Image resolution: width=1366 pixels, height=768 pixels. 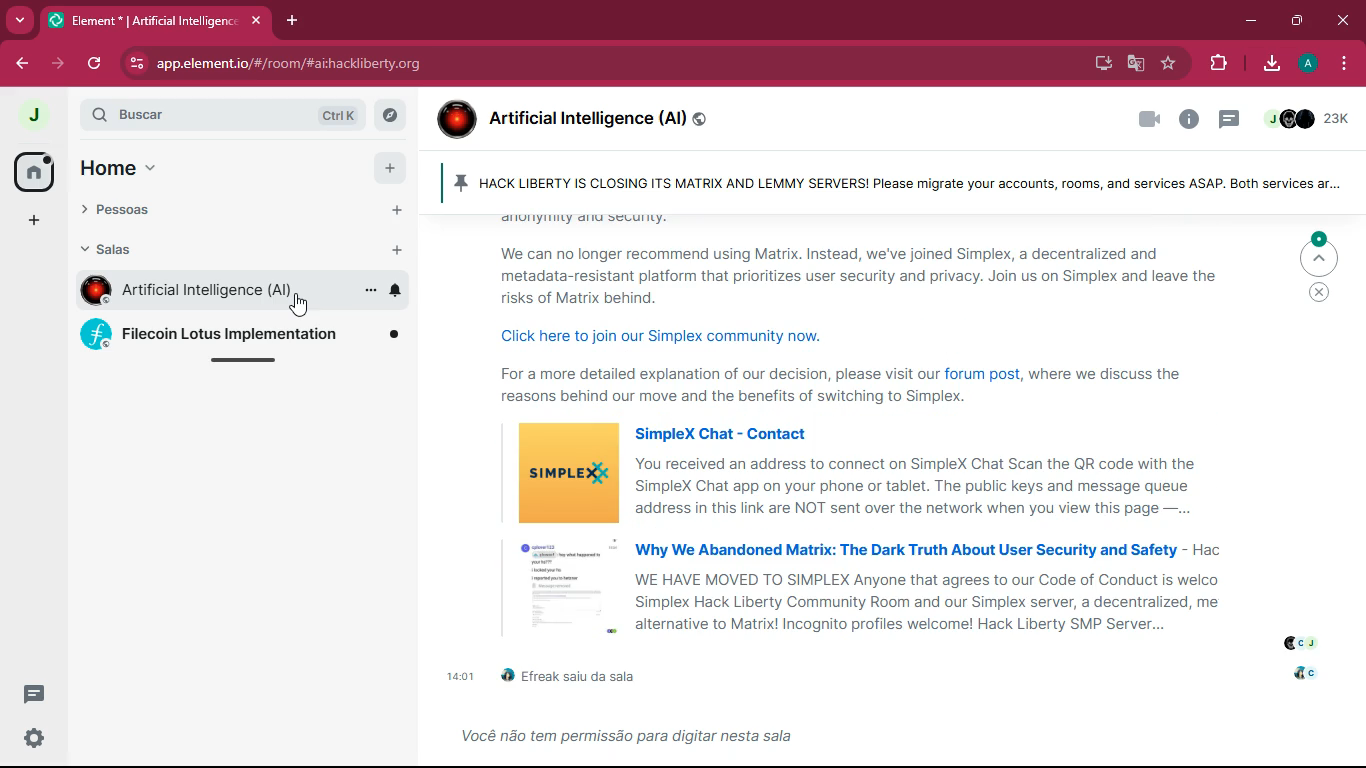 I want to click on more, so click(x=18, y=18).